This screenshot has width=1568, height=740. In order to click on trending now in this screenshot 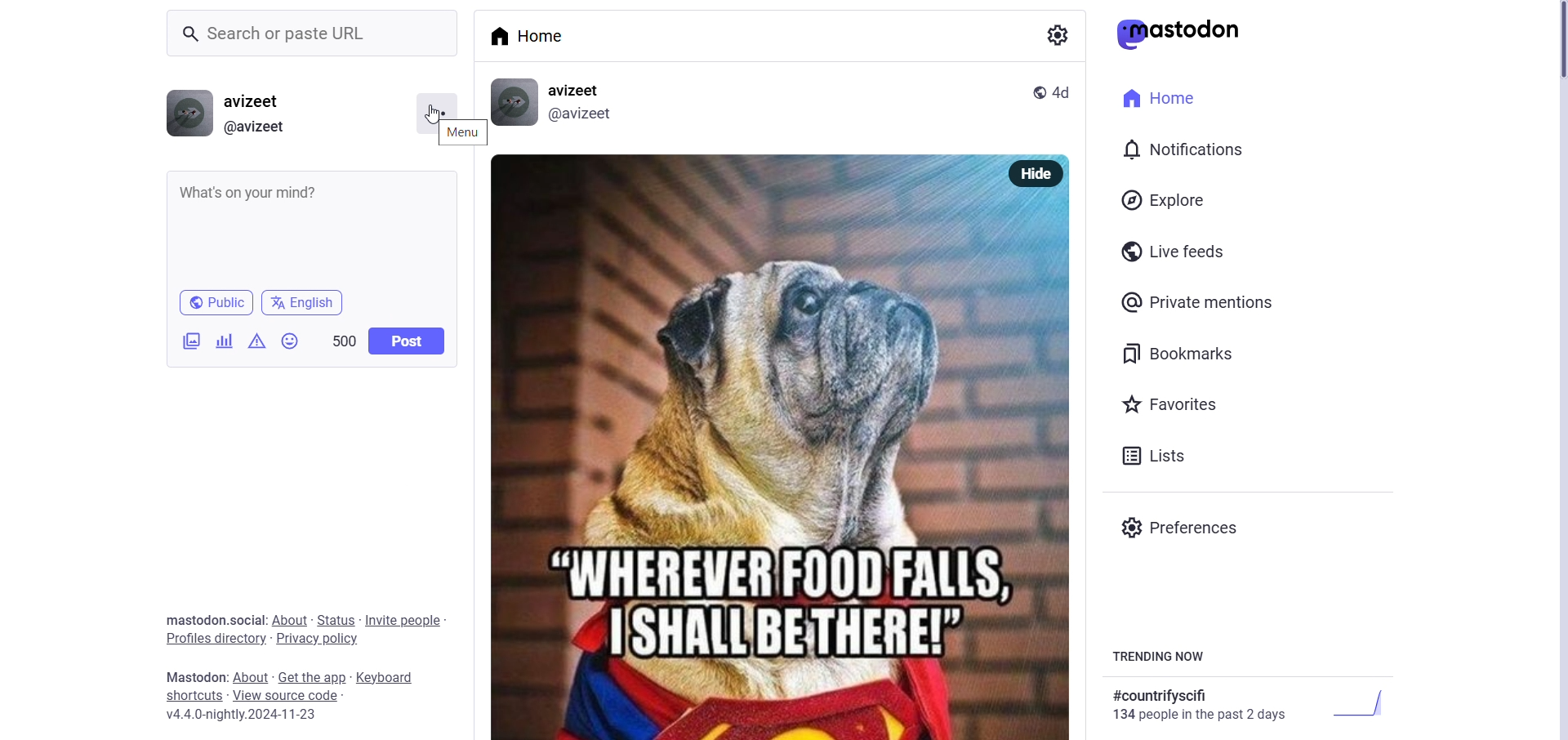, I will do `click(1158, 658)`.